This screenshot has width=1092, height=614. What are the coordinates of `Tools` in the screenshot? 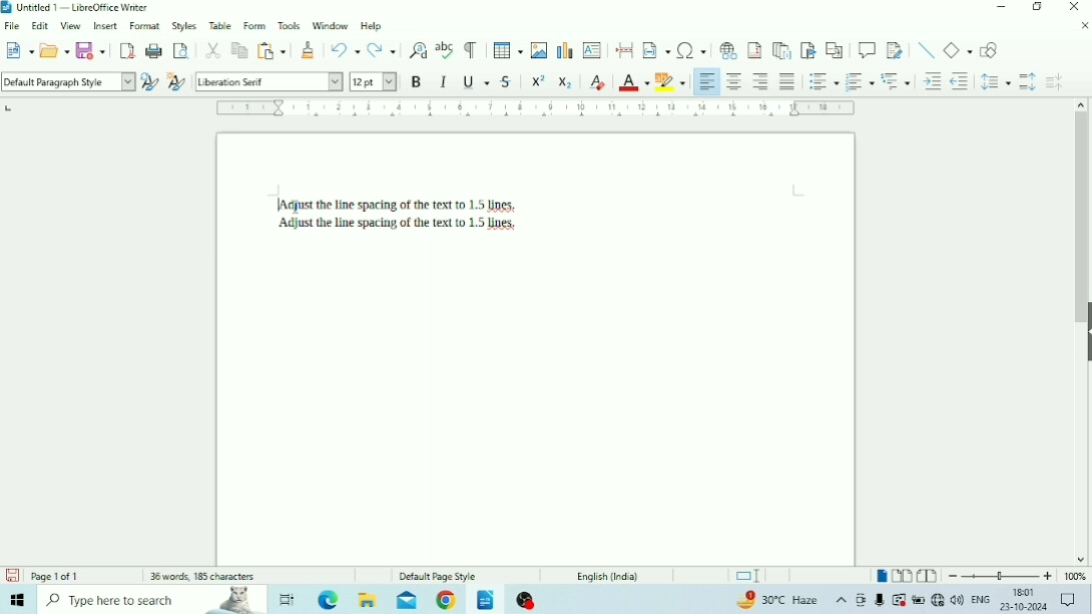 It's located at (291, 24).